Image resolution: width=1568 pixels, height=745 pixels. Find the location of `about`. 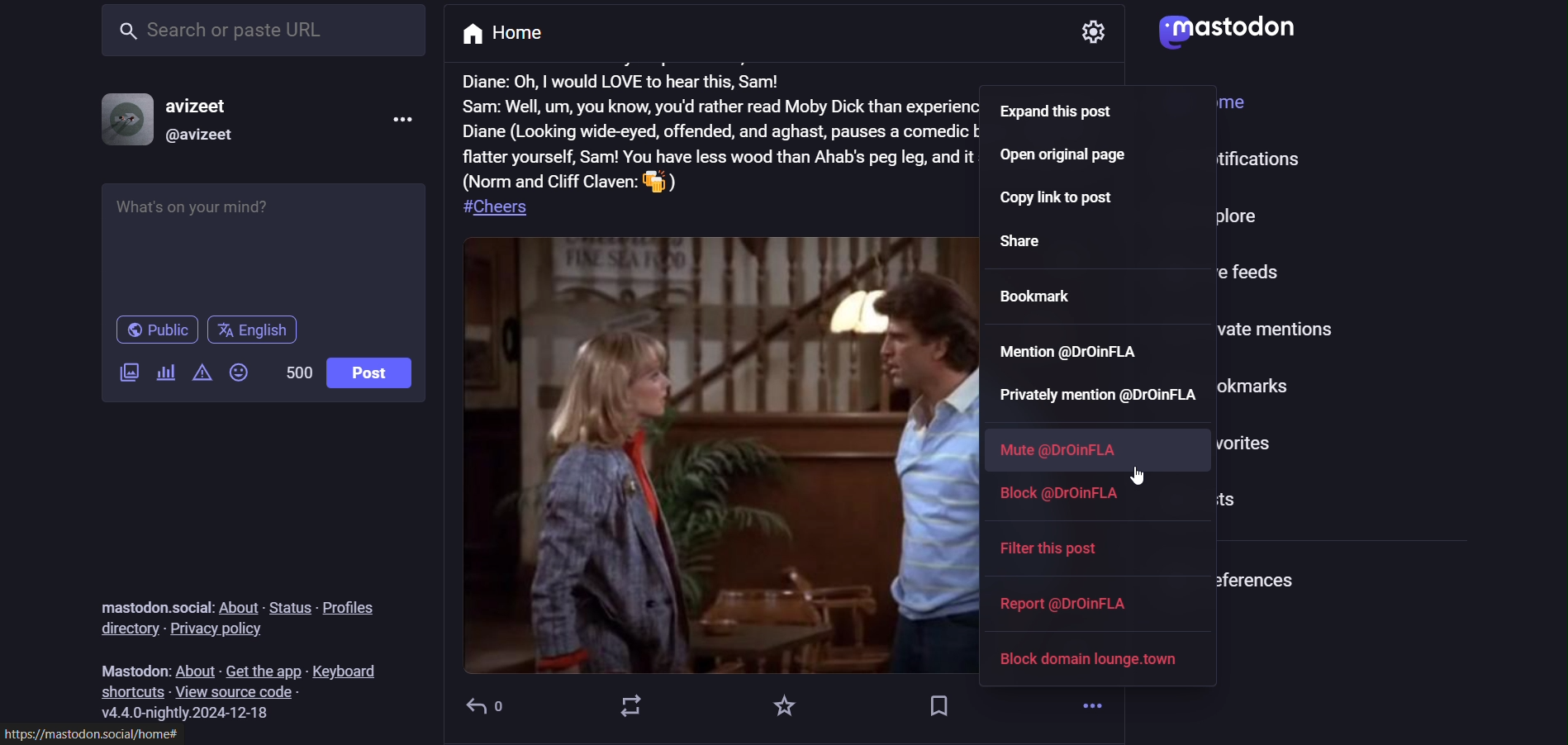

about is located at coordinates (196, 667).